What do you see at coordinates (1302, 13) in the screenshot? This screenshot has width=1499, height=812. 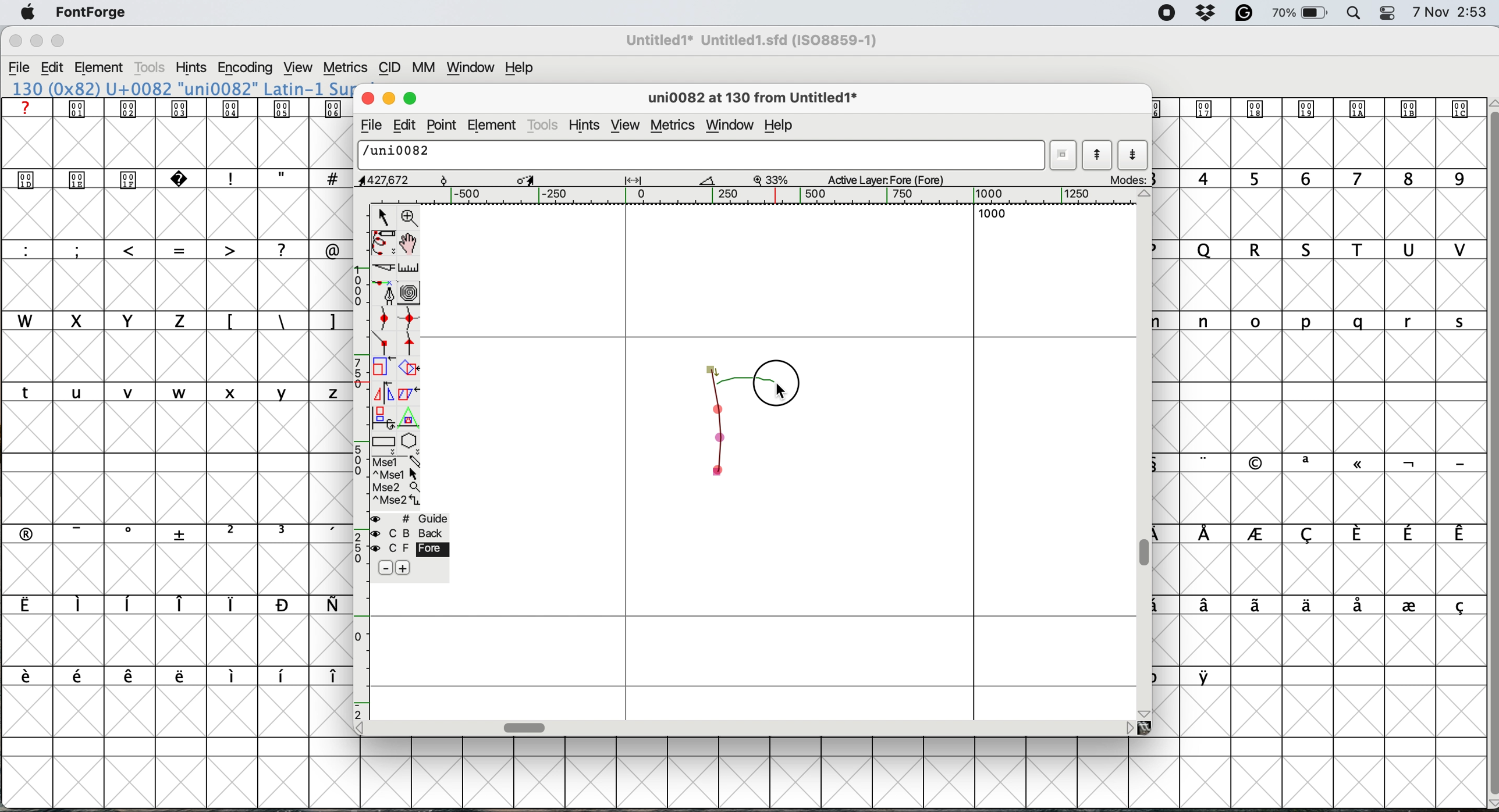 I see `battery` at bounding box center [1302, 13].